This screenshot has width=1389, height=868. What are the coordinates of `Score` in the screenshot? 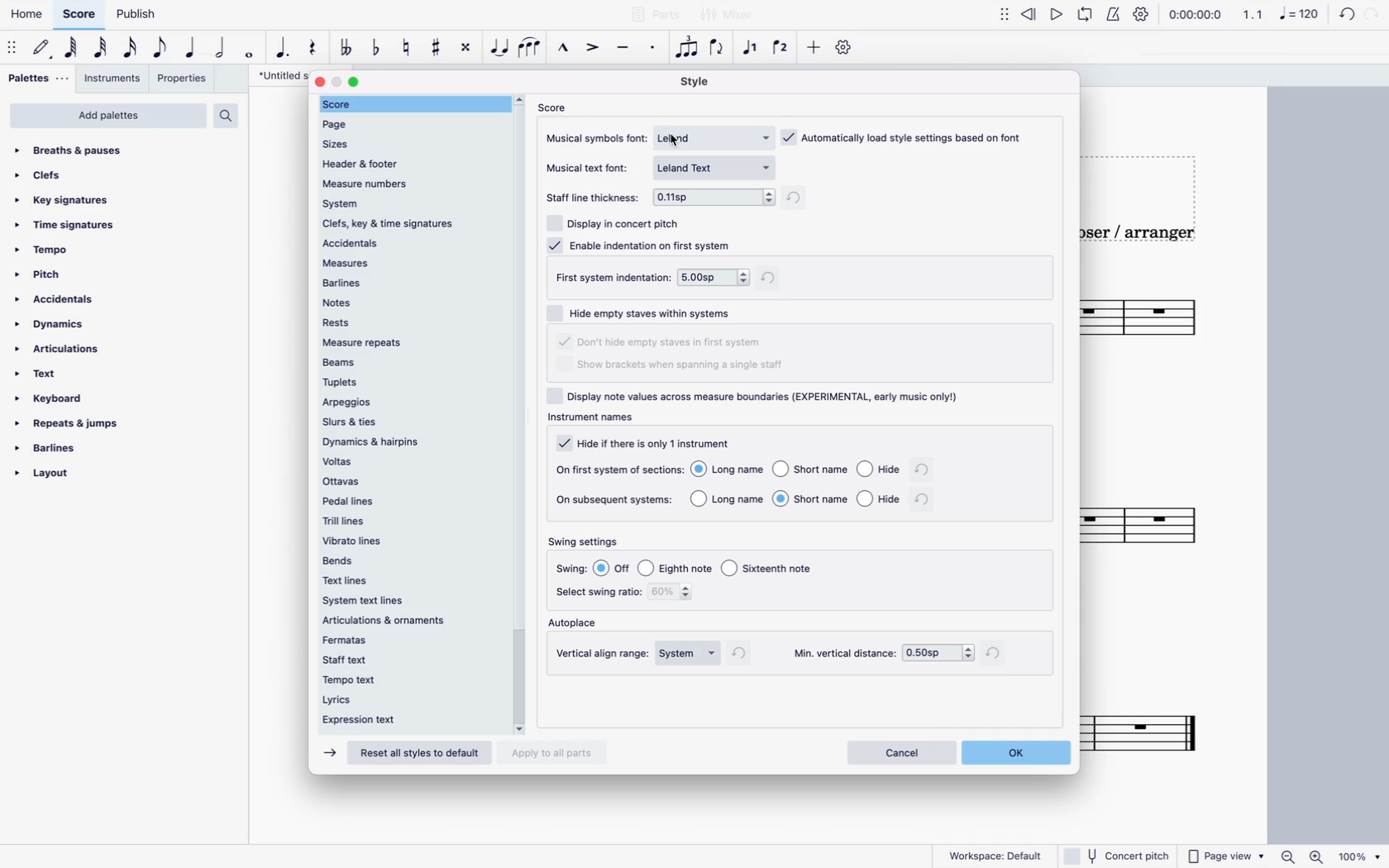 It's located at (1155, 736).